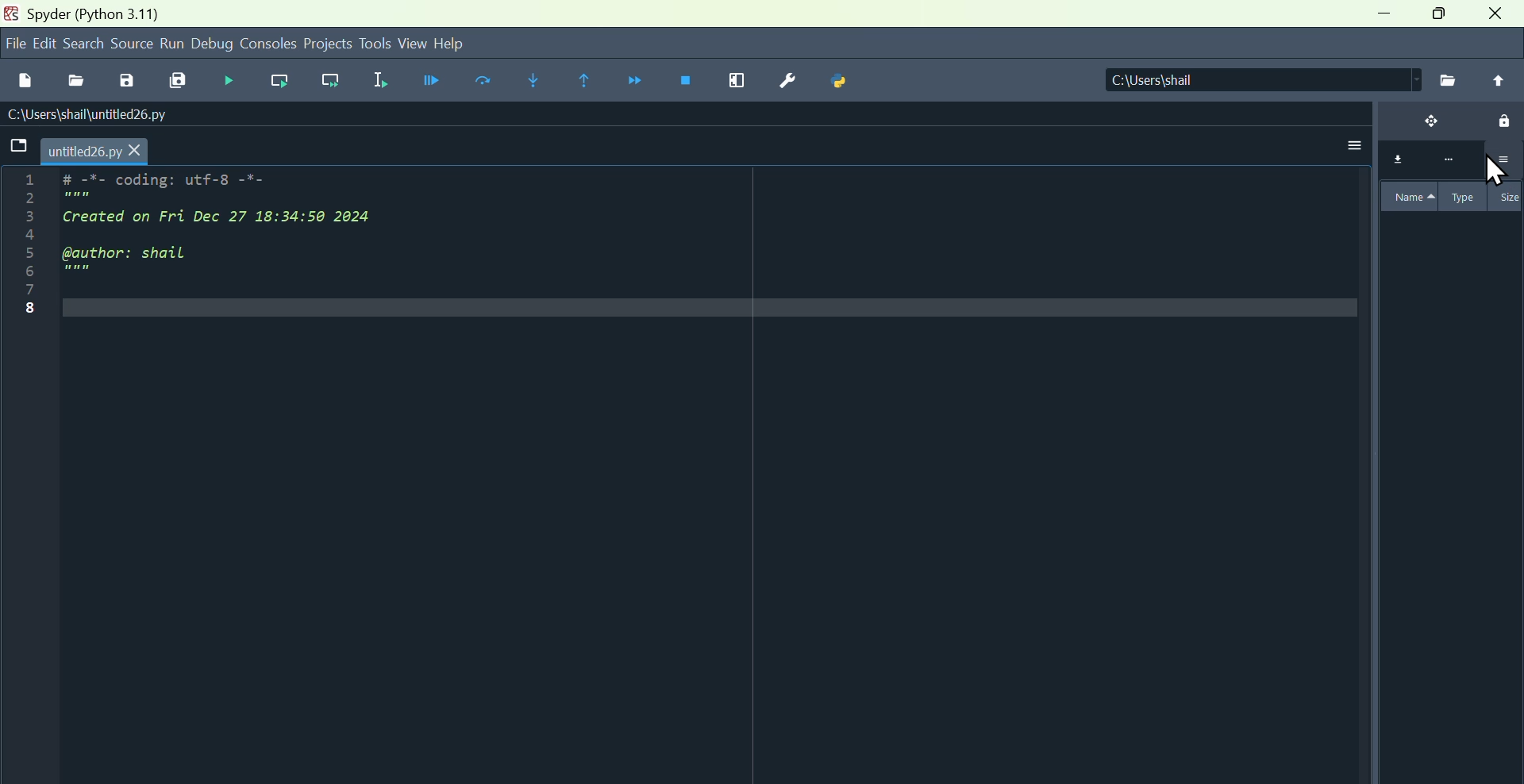 This screenshot has width=1524, height=784. Describe the element at coordinates (125, 80) in the screenshot. I see `Save as` at that location.